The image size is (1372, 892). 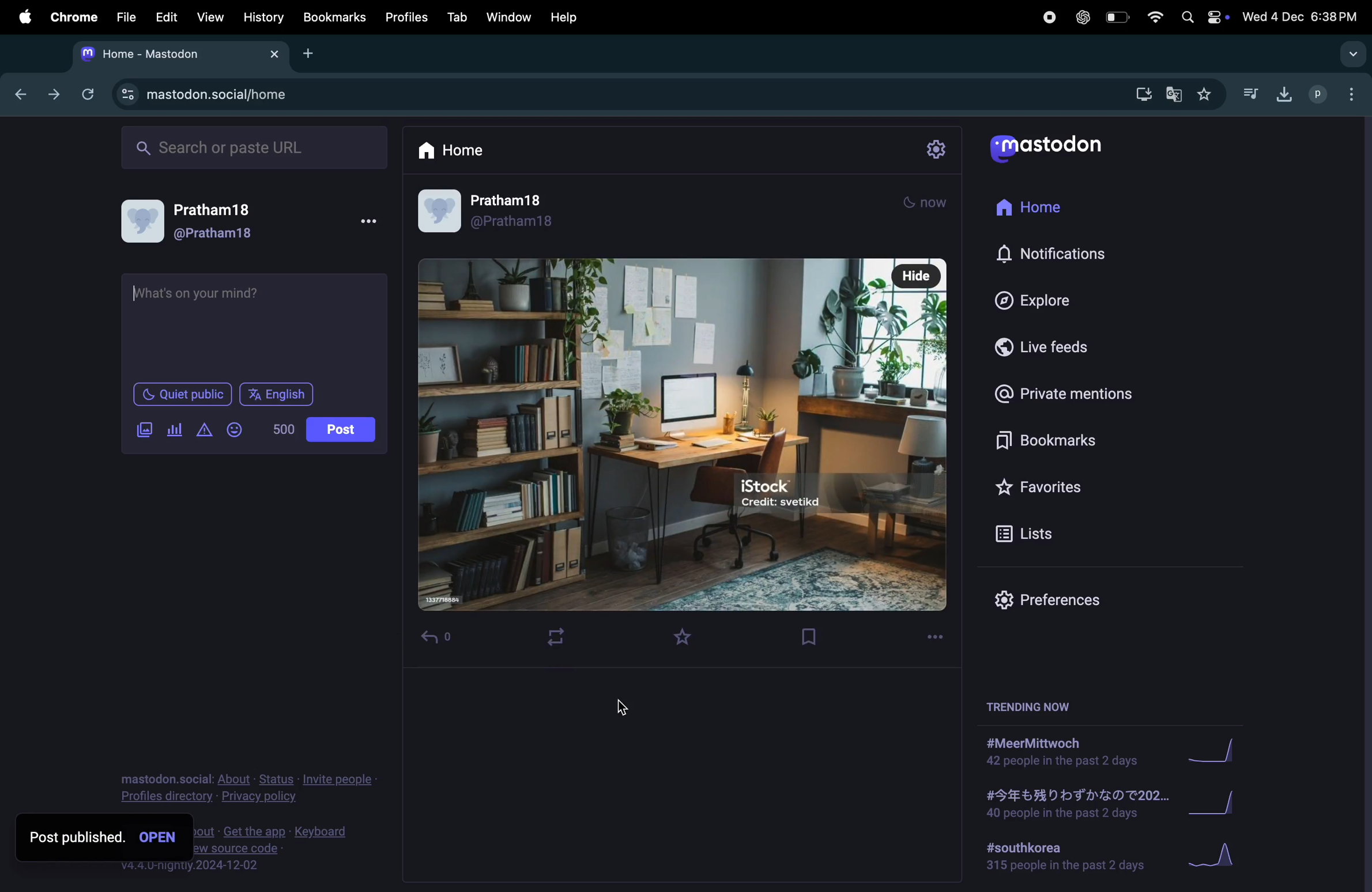 What do you see at coordinates (182, 395) in the screenshot?
I see `Quiet place` at bounding box center [182, 395].